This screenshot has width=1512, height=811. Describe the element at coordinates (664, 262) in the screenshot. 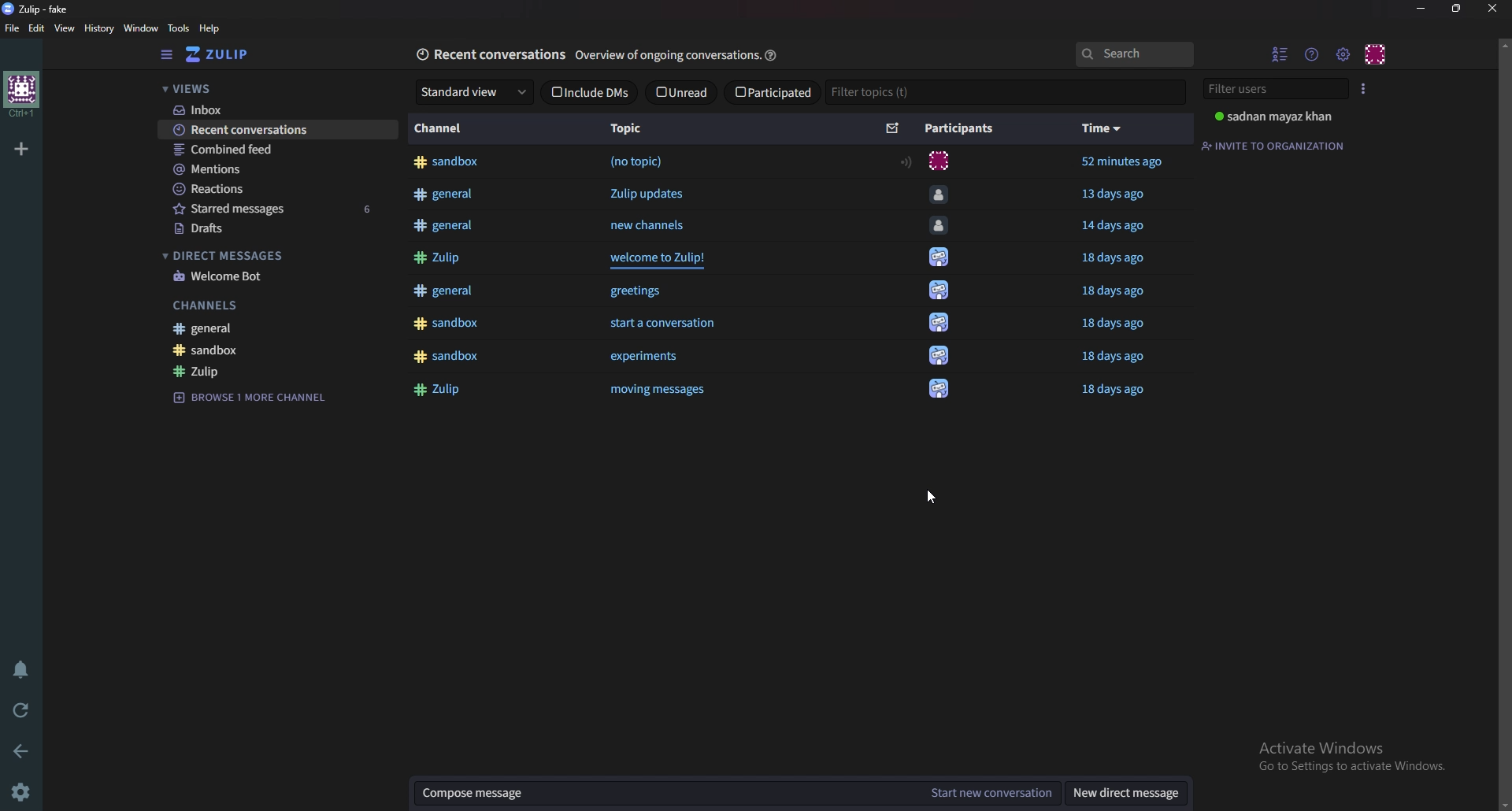

I see `welcome to Zulip!` at that location.